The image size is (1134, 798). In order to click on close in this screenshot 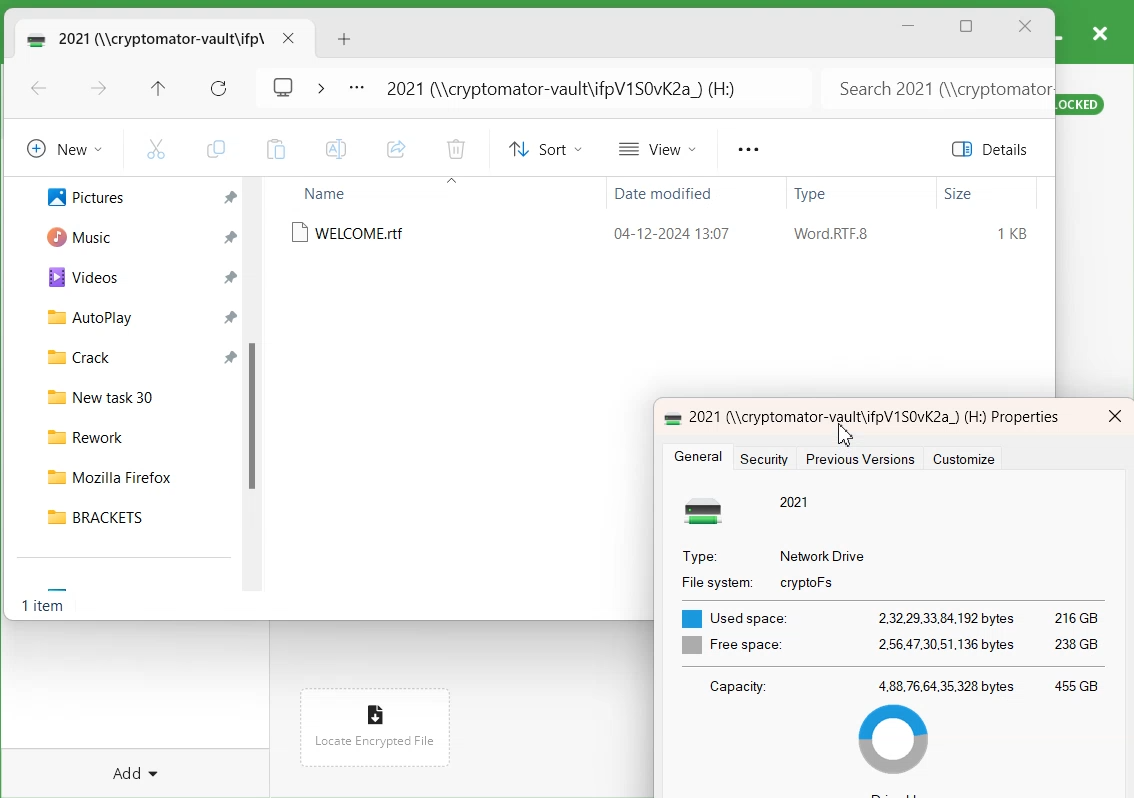, I will do `click(1115, 416)`.